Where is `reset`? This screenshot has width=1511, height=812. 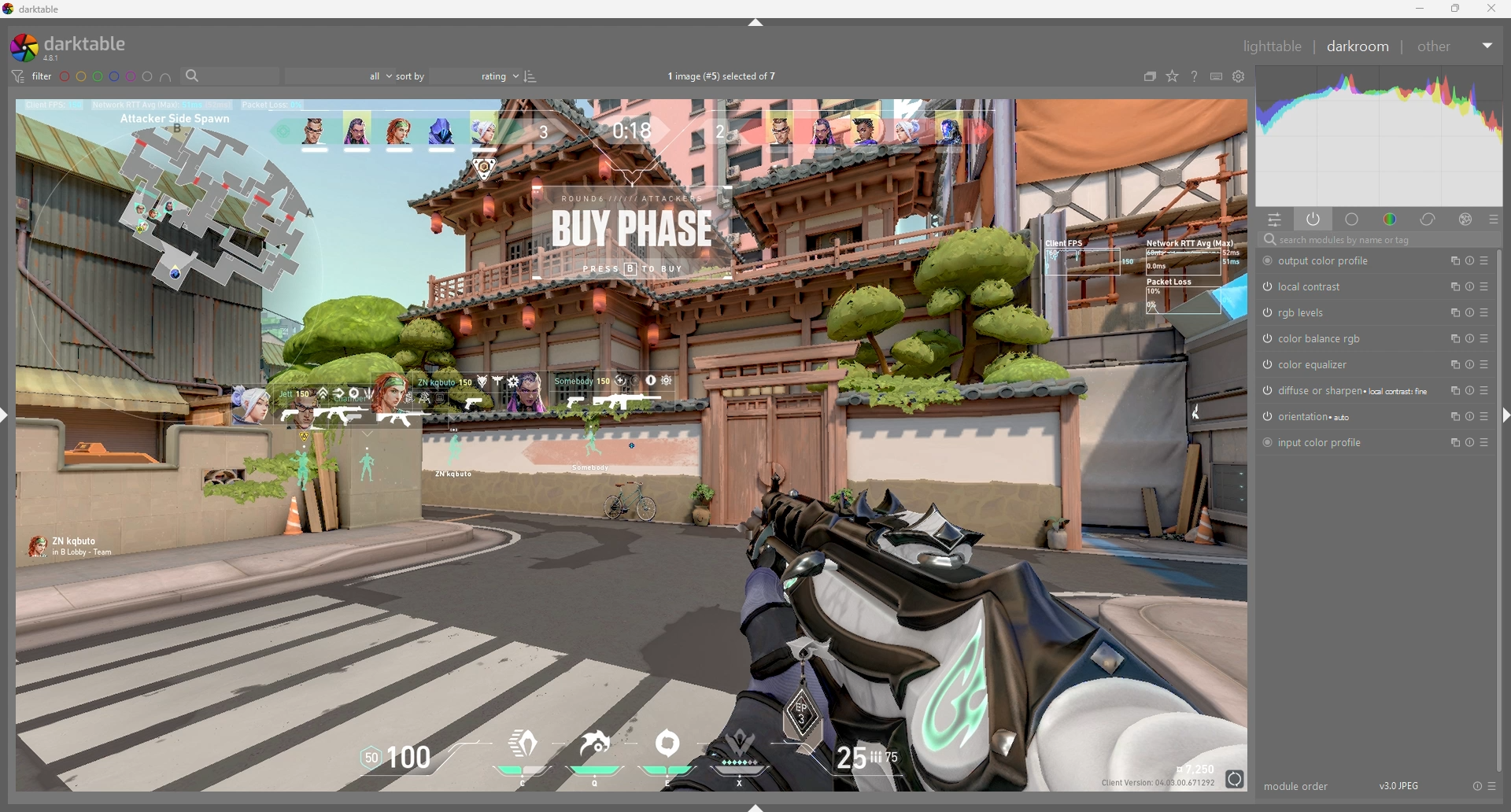
reset is located at coordinates (1469, 416).